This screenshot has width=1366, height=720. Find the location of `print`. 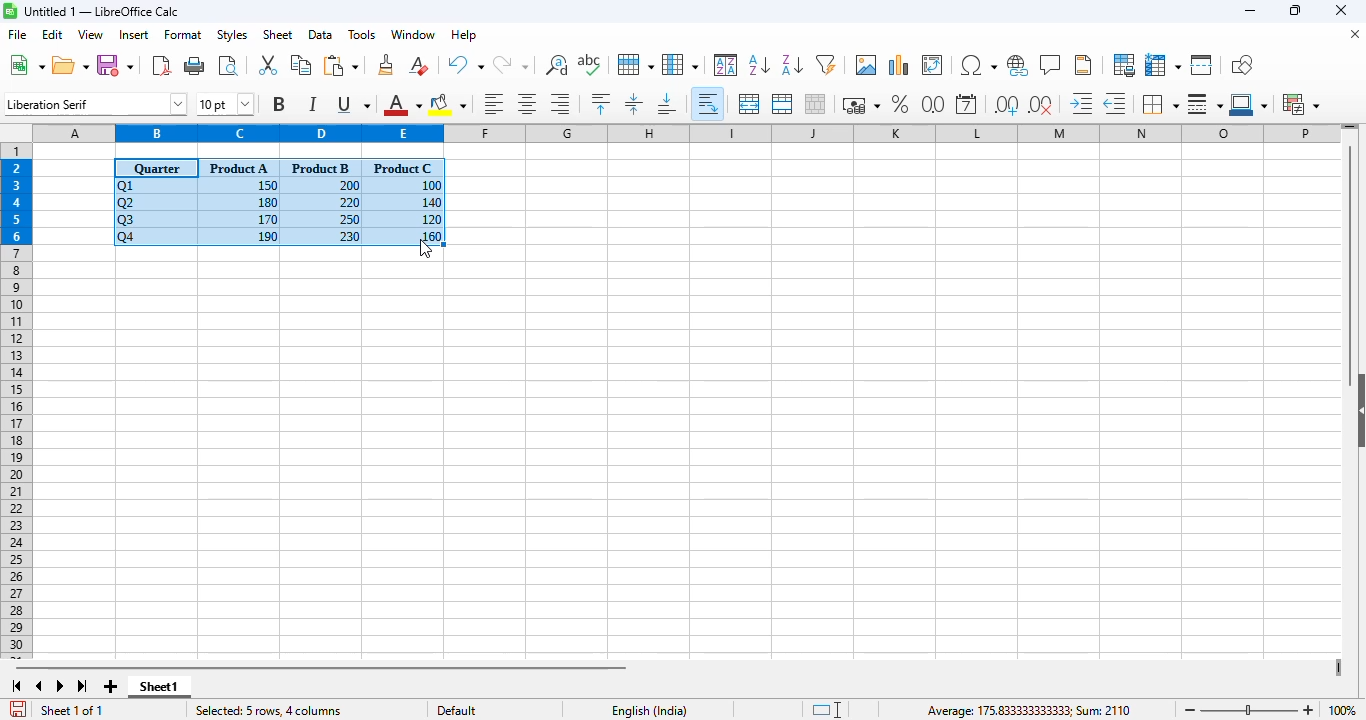

print is located at coordinates (195, 65).